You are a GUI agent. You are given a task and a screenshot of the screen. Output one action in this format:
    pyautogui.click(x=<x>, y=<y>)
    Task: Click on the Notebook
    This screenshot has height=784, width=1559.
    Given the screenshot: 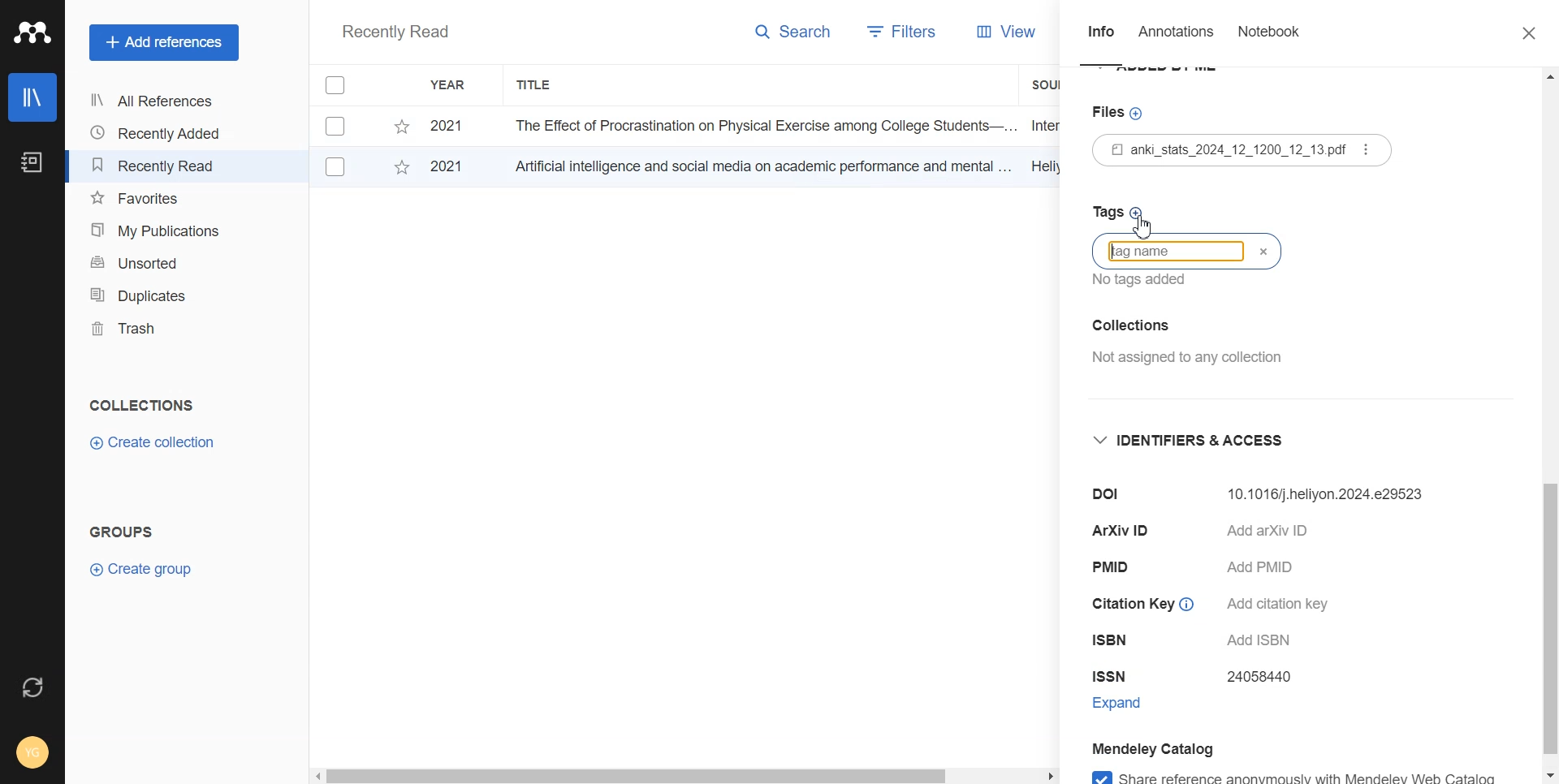 What is the action you would take?
    pyautogui.click(x=30, y=163)
    